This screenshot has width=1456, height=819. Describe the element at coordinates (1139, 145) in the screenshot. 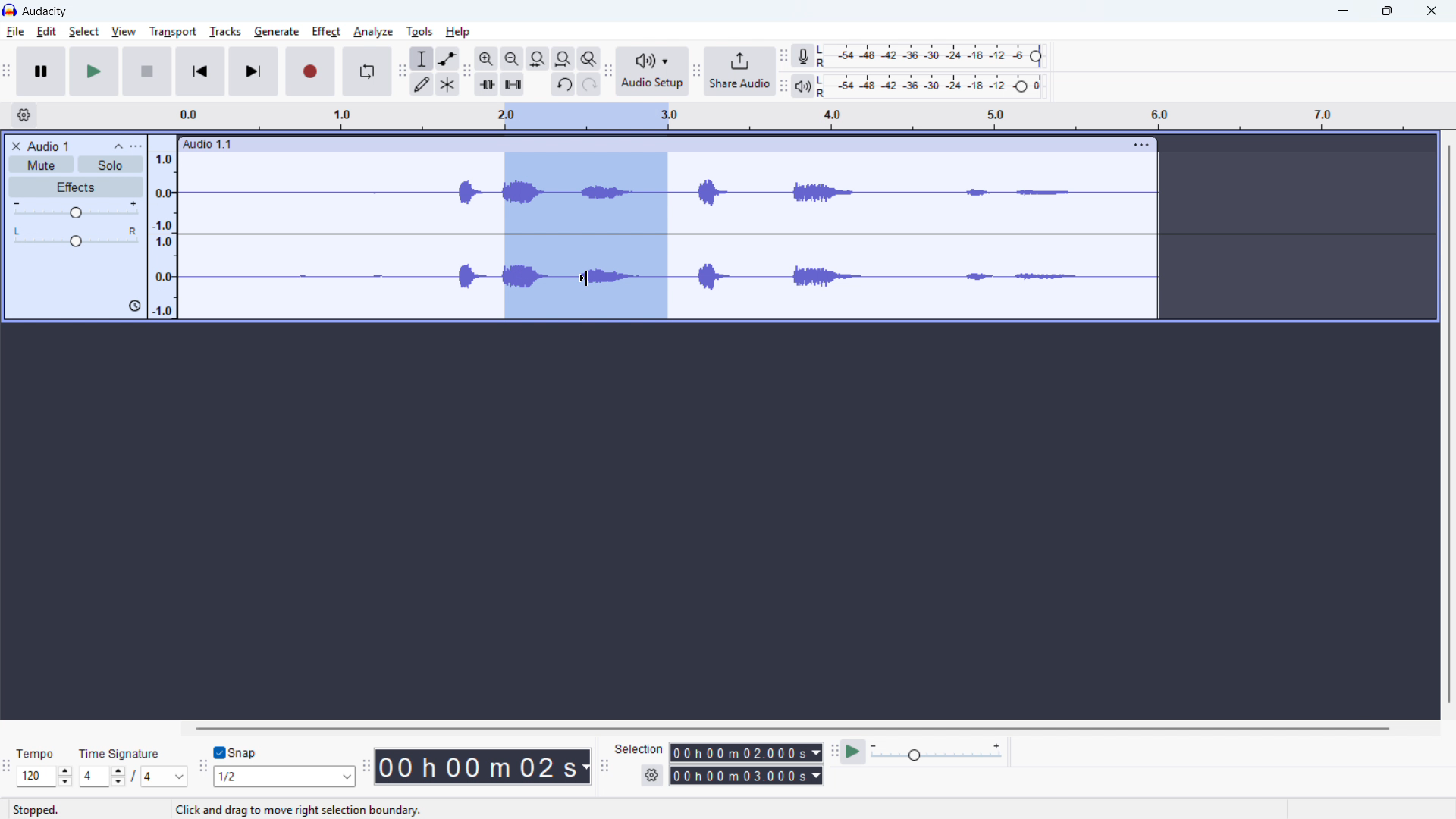

I see `Track options` at that location.